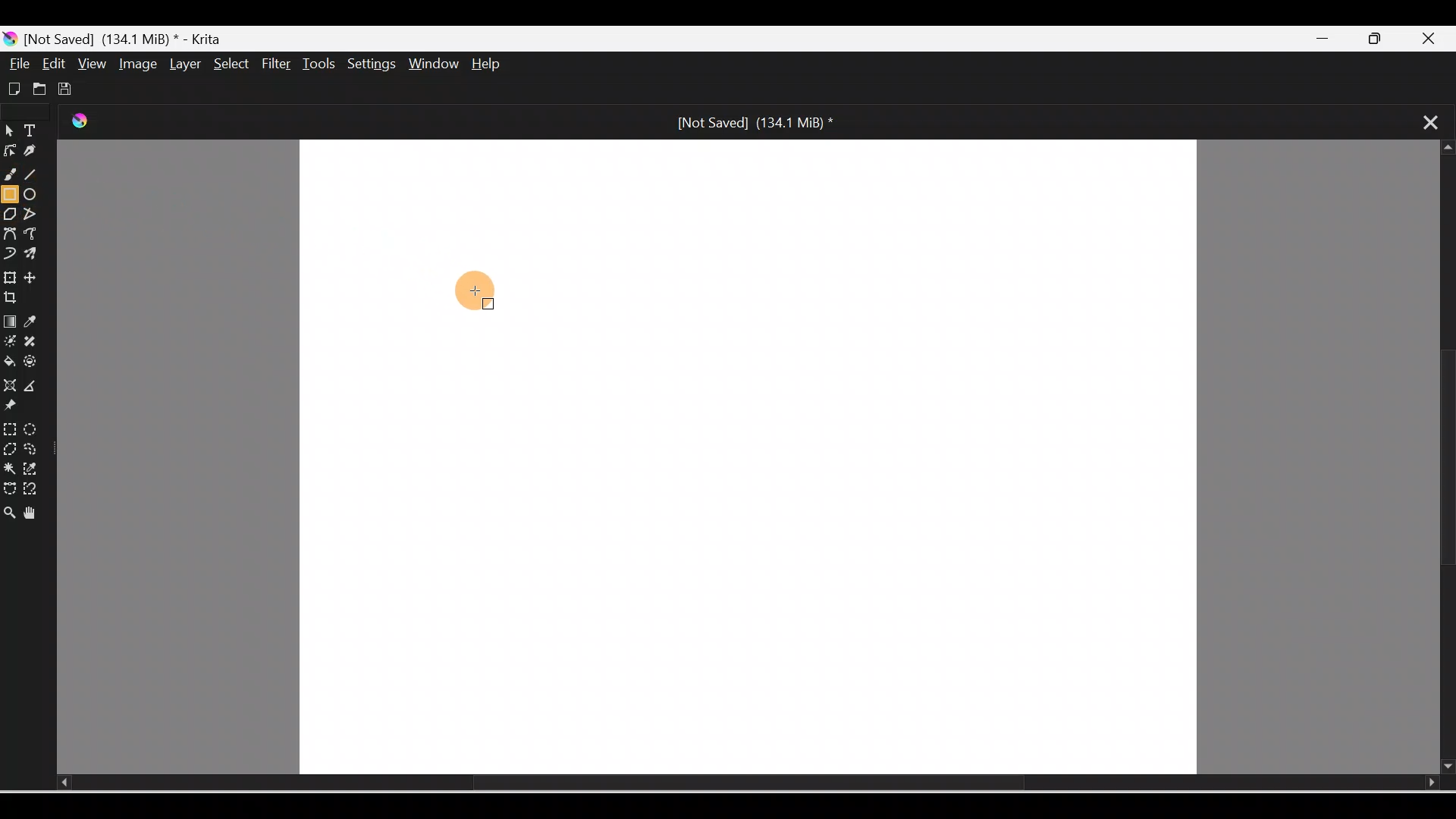  What do you see at coordinates (36, 387) in the screenshot?
I see `Measure the distance between two points` at bounding box center [36, 387].